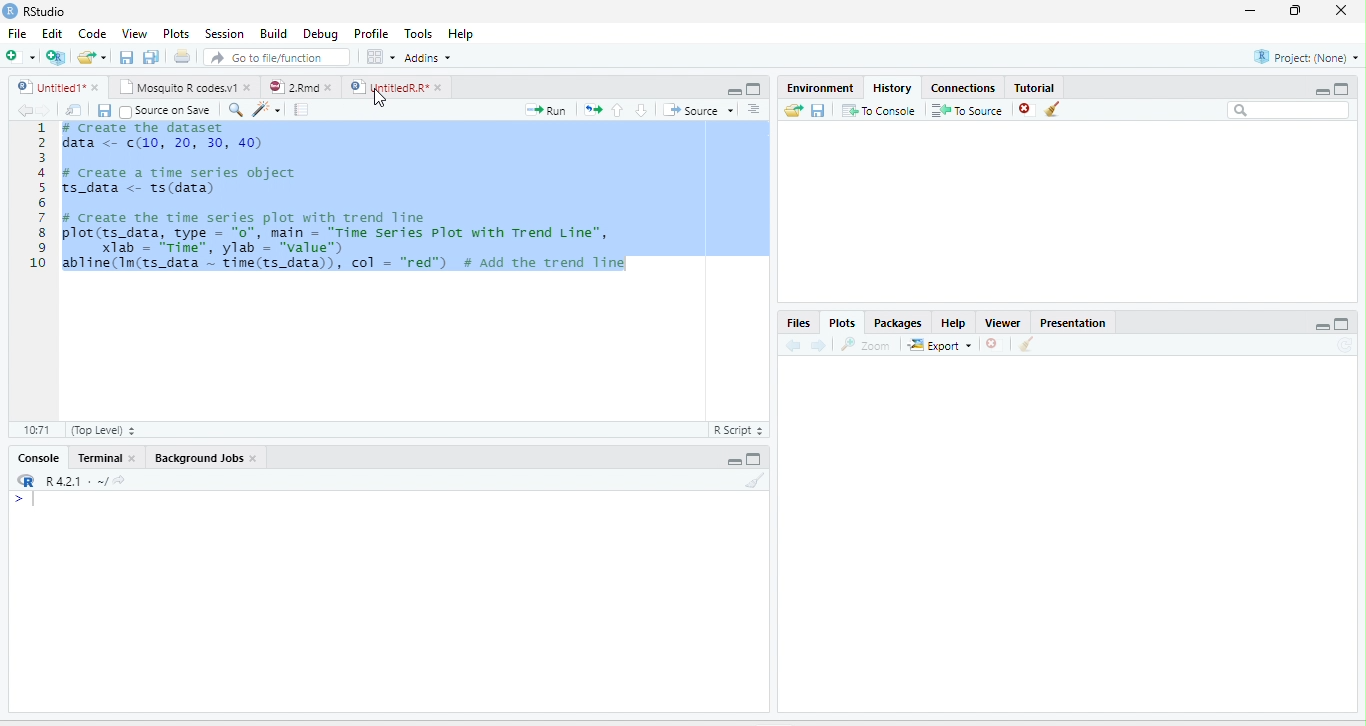 This screenshot has width=1366, height=726. What do you see at coordinates (1026, 109) in the screenshot?
I see `Remove the selected history entries` at bounding box center [1026, 109].